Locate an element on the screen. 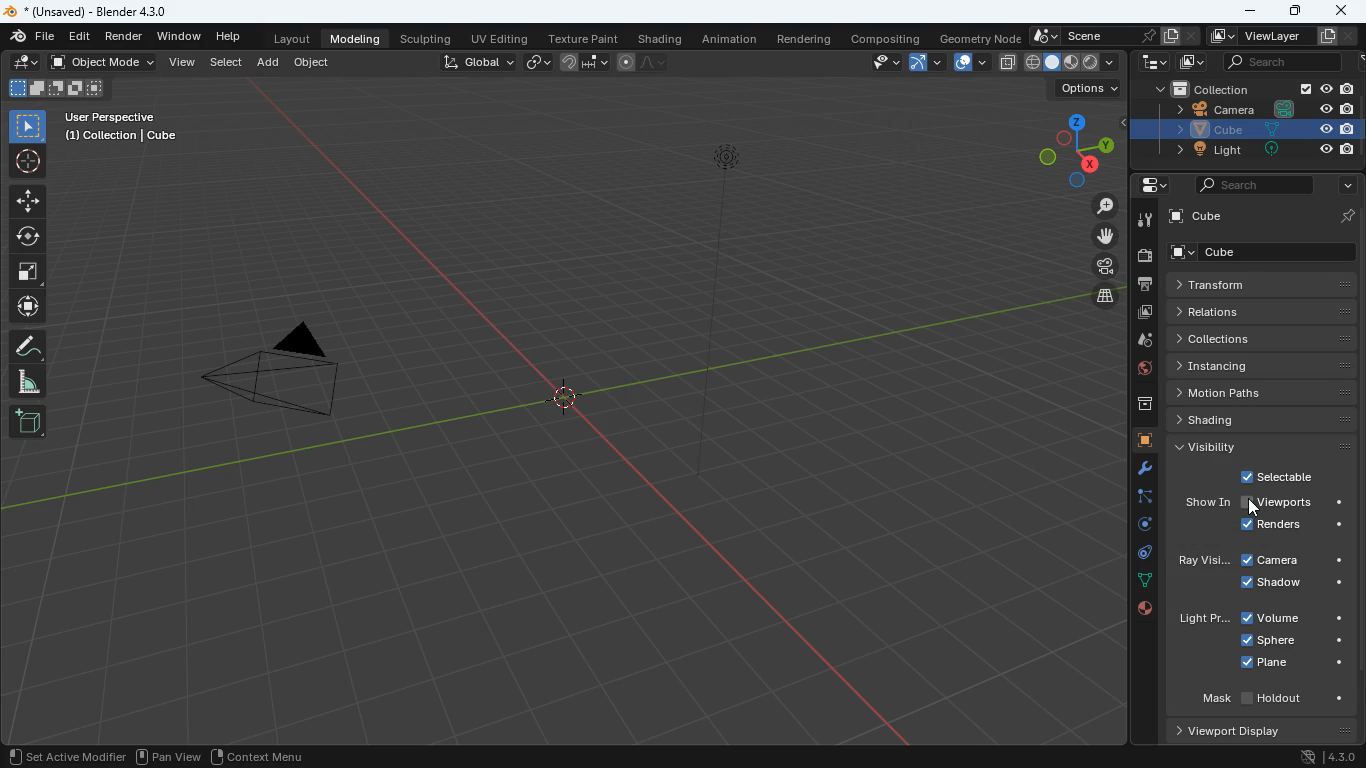 The width and height of the screenshot is (1366, 768). scene is located at coordinates (1094, 36).